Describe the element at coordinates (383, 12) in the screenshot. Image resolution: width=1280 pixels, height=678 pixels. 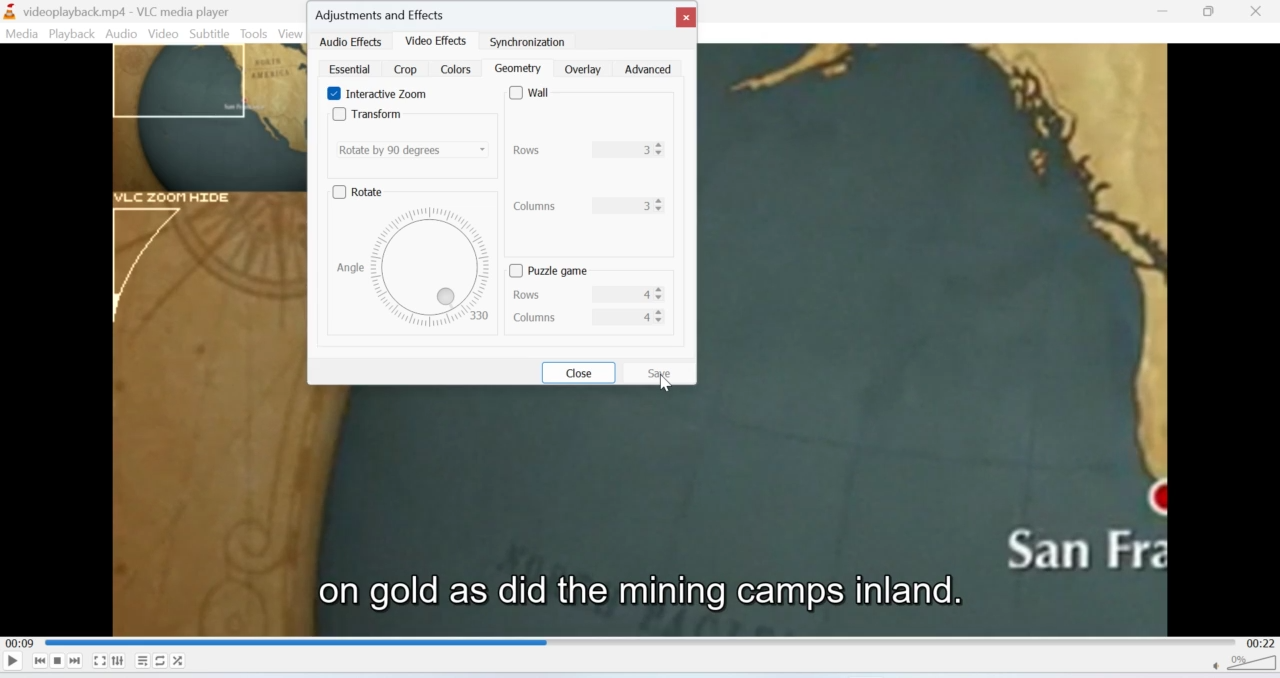
I see `Adjustments and effects` at that location.